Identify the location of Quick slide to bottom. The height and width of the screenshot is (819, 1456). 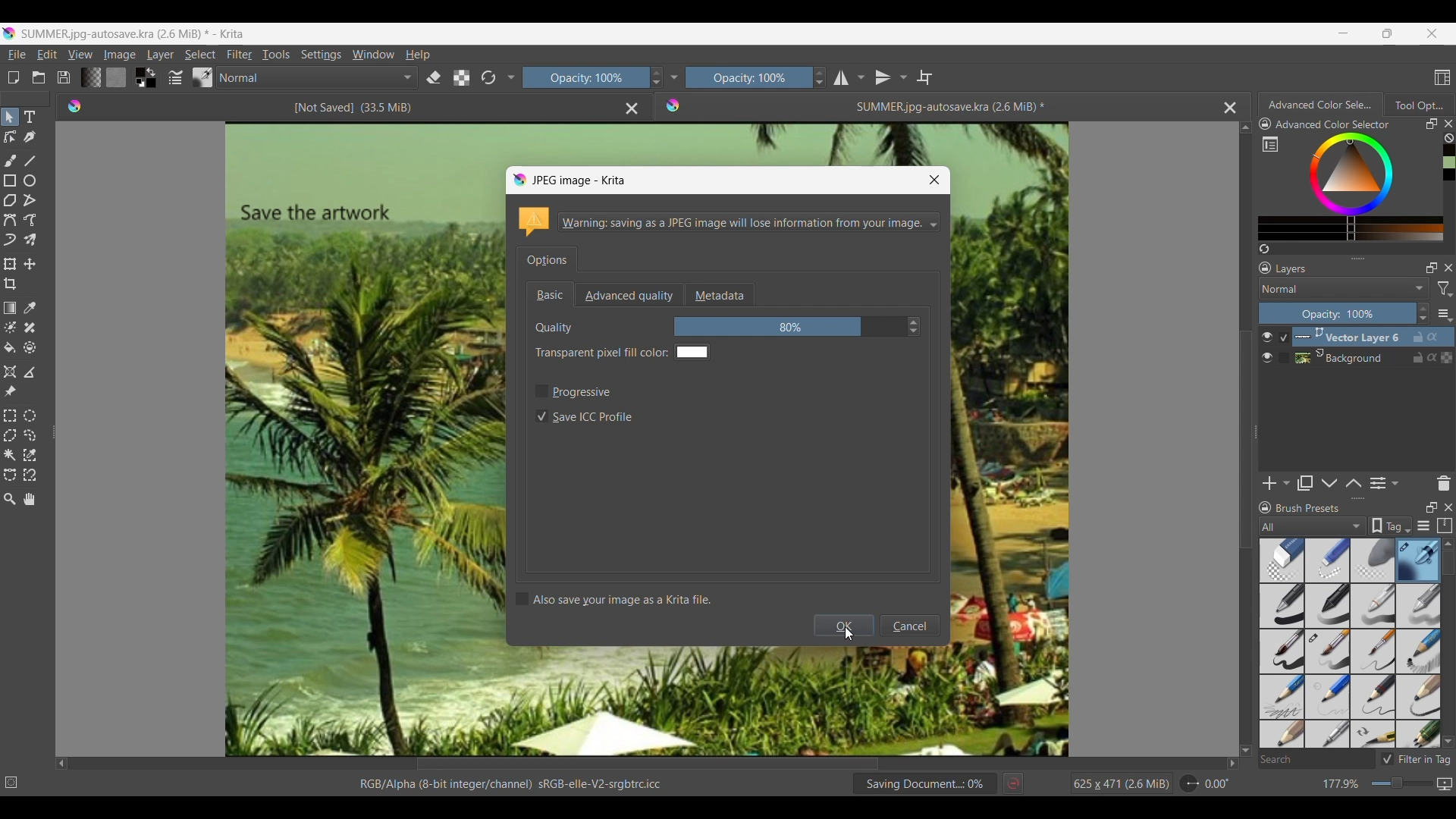
(1246, 751).